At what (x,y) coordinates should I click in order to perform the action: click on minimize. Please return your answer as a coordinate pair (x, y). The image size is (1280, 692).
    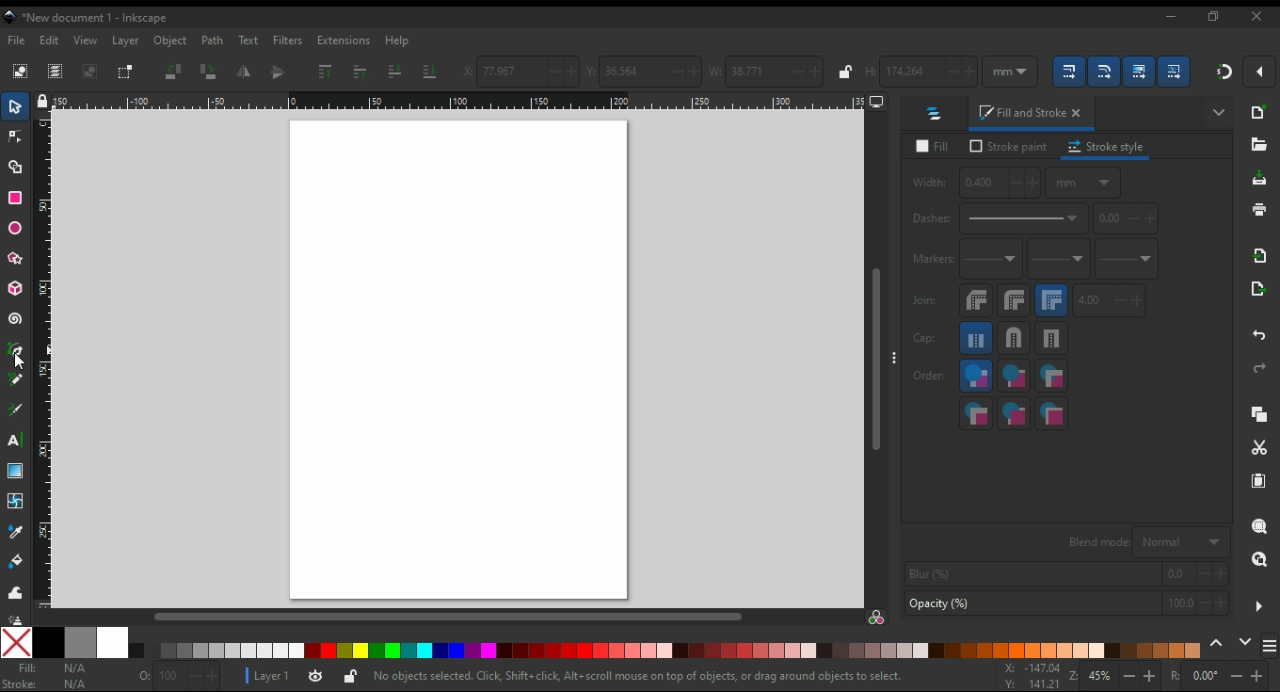
    Looking at the image, I should click on (1168, 19).